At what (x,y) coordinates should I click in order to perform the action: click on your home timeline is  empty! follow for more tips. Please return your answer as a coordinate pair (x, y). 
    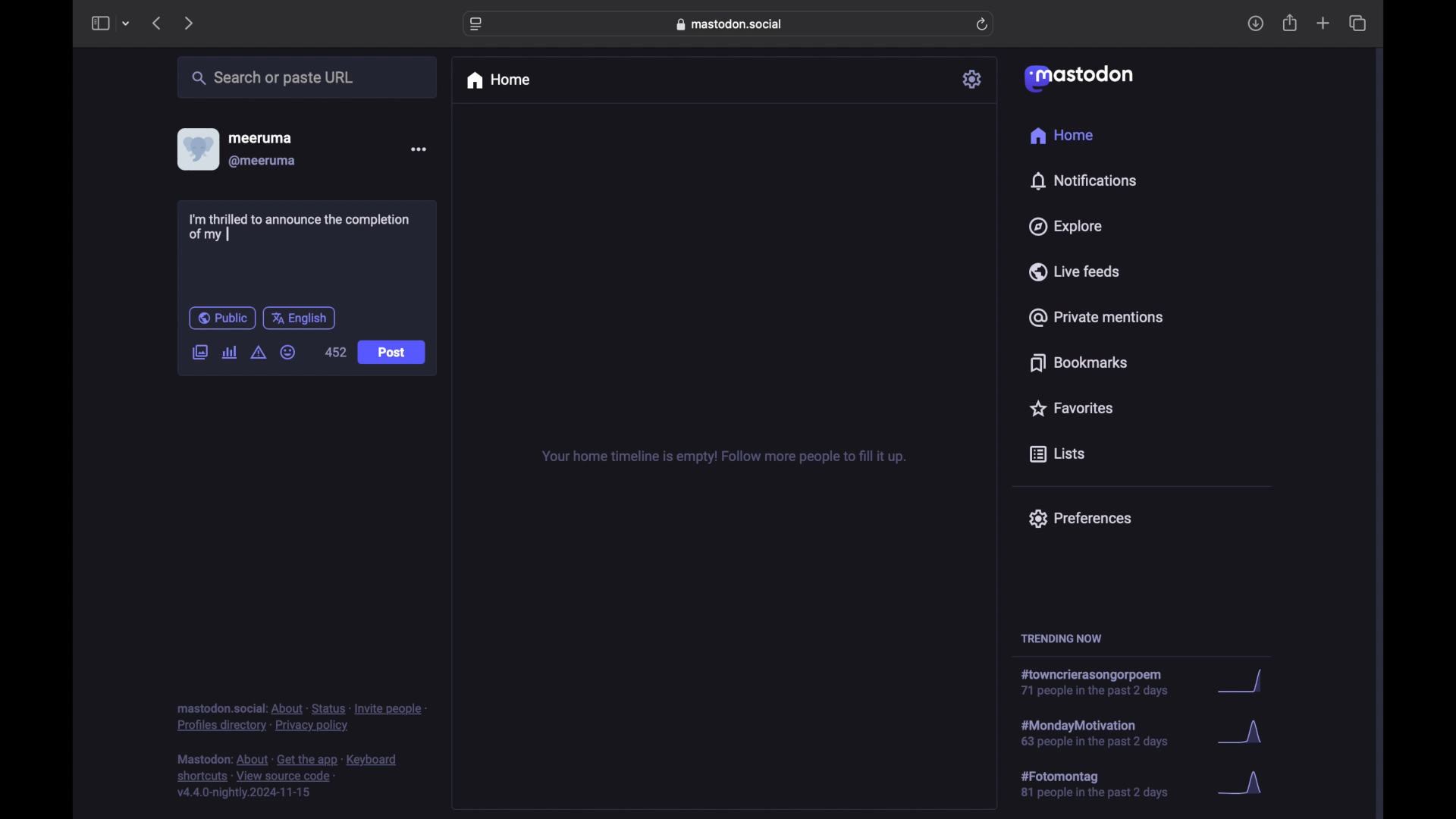
    Looking at the image, I should click on (722, 457).